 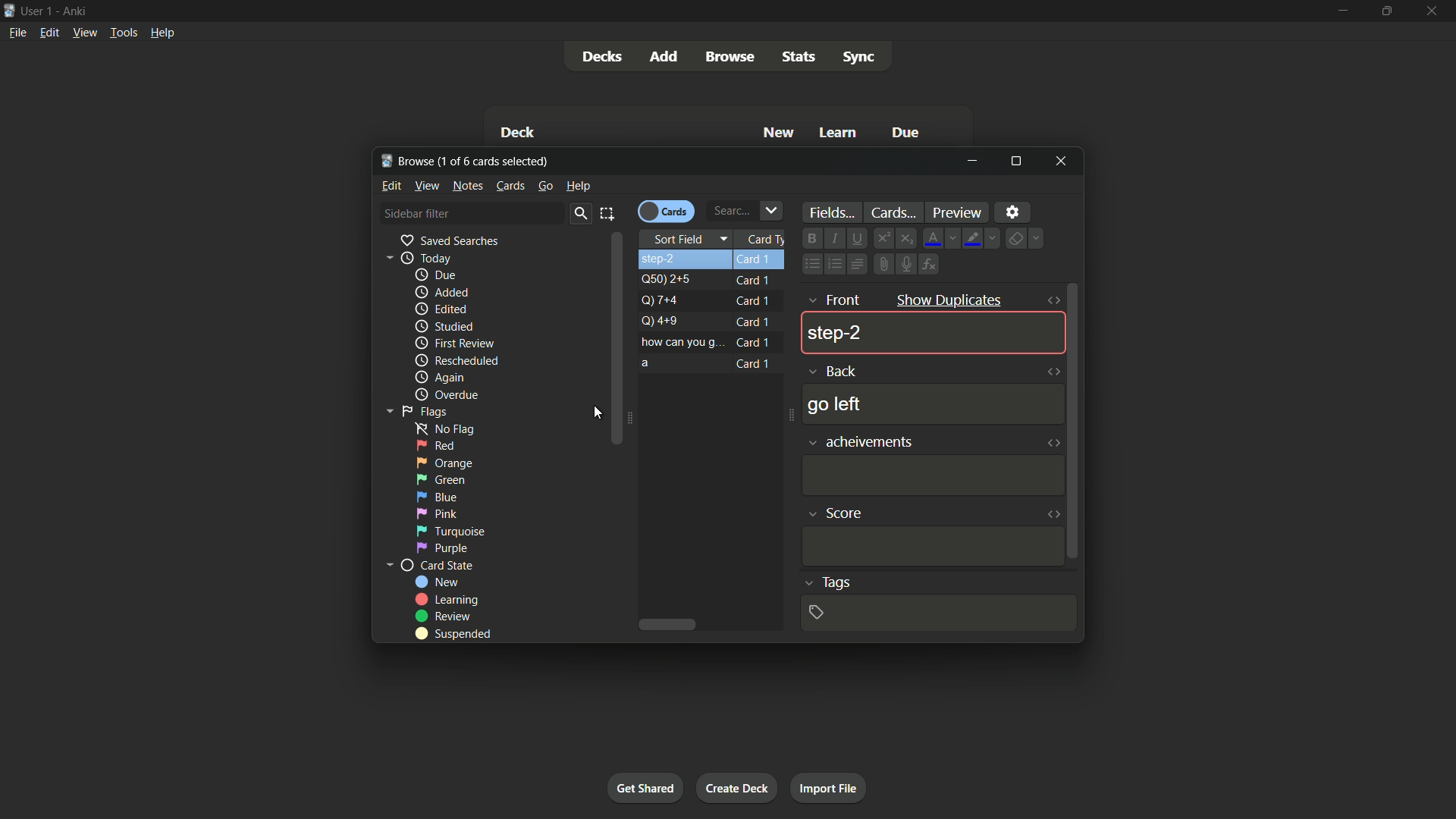 I want to click on Unordered list, so click(x=808, y=265).